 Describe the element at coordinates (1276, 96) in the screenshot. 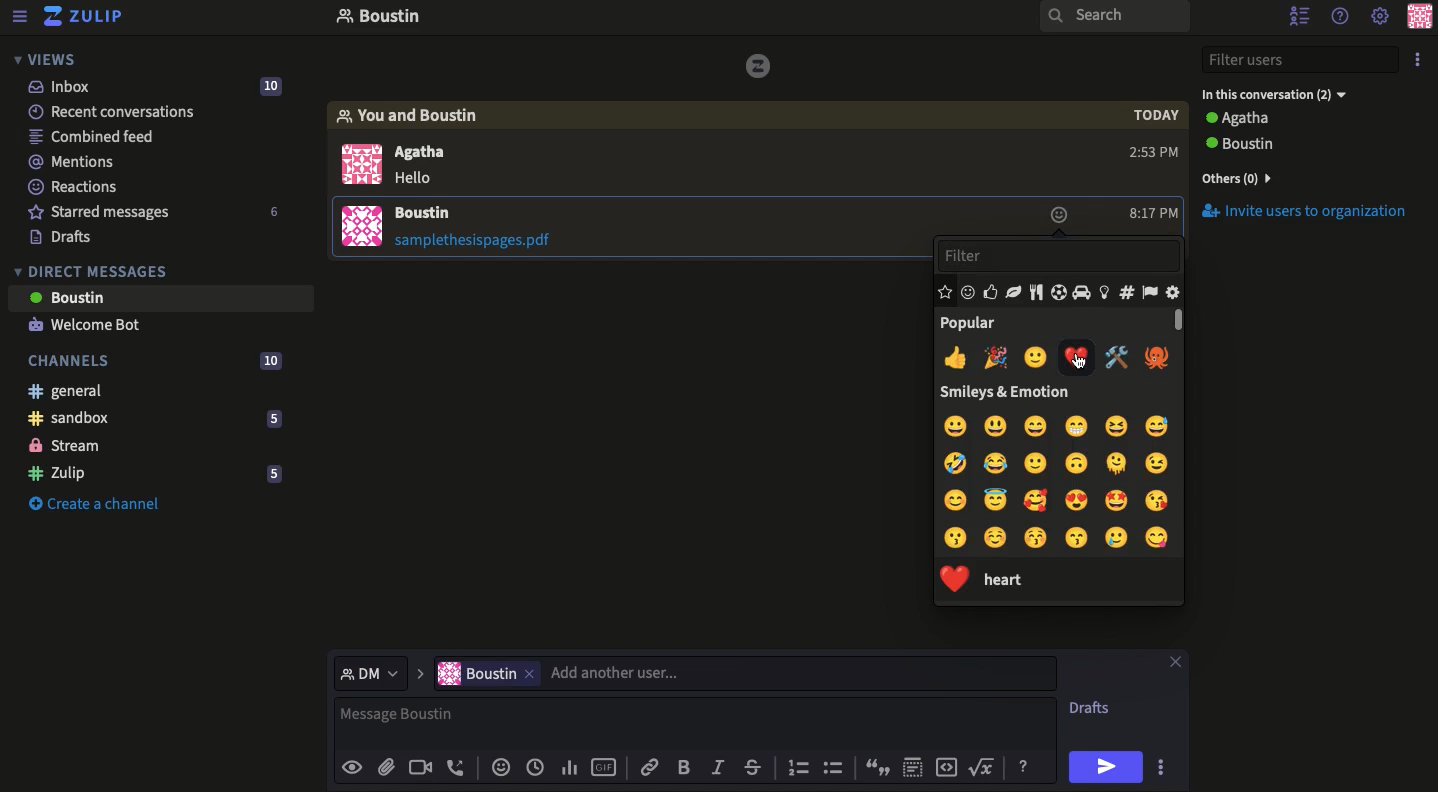

I see `In the conversation` at that location.